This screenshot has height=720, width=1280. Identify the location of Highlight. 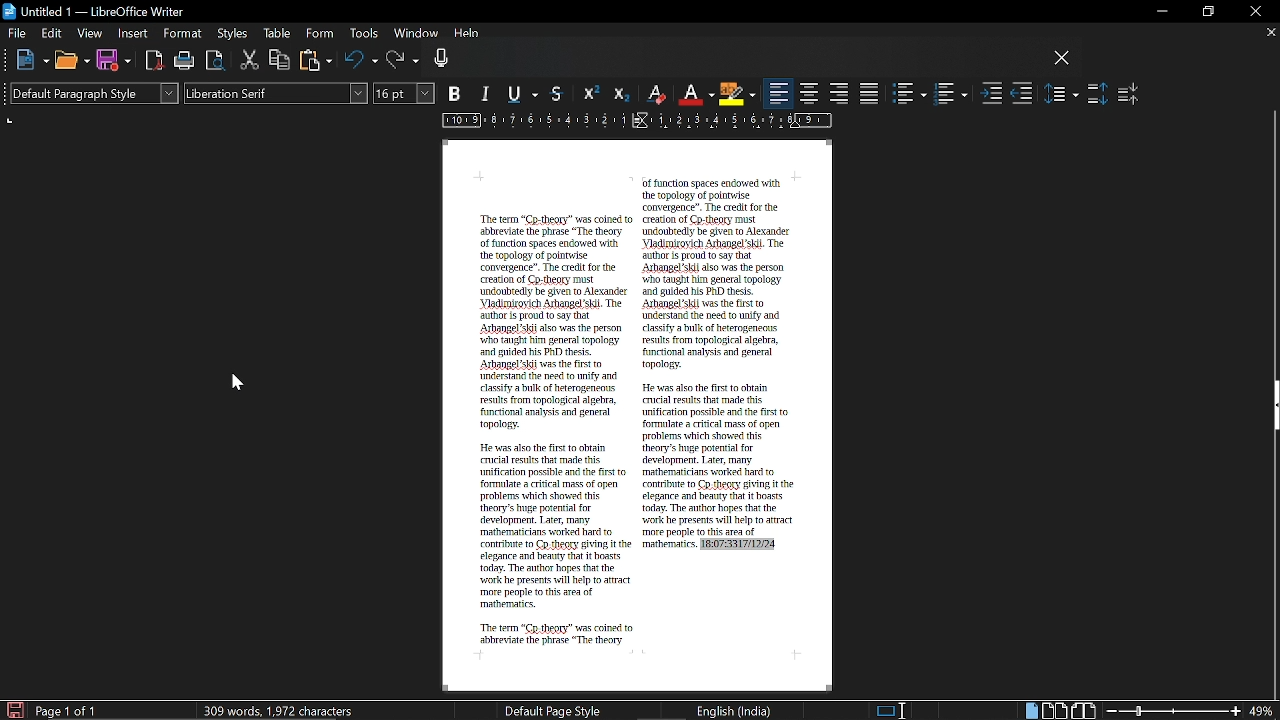
(736, 93).